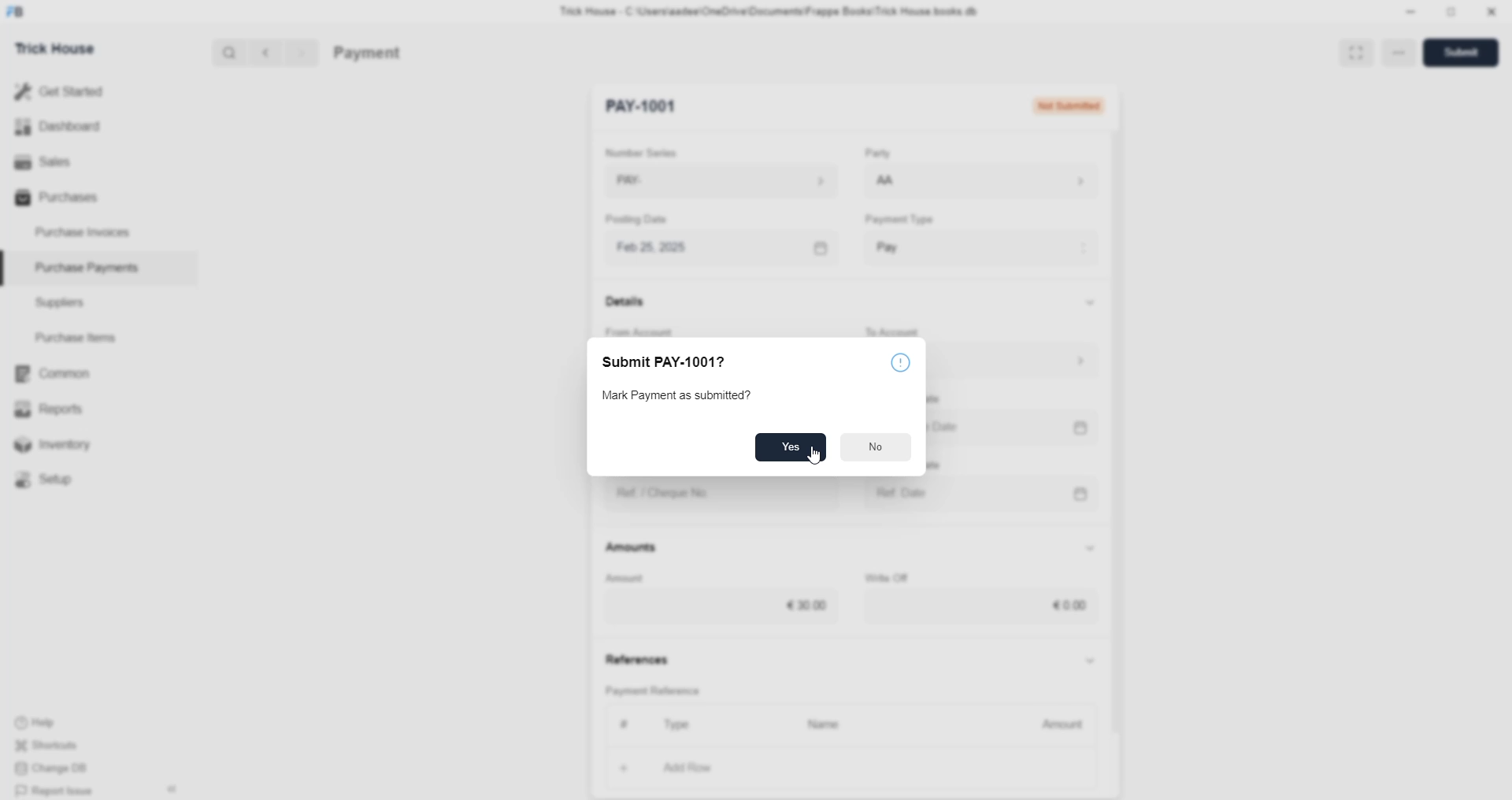 The image size is (1512, 800). I want to click on Name, so click(819, 725).